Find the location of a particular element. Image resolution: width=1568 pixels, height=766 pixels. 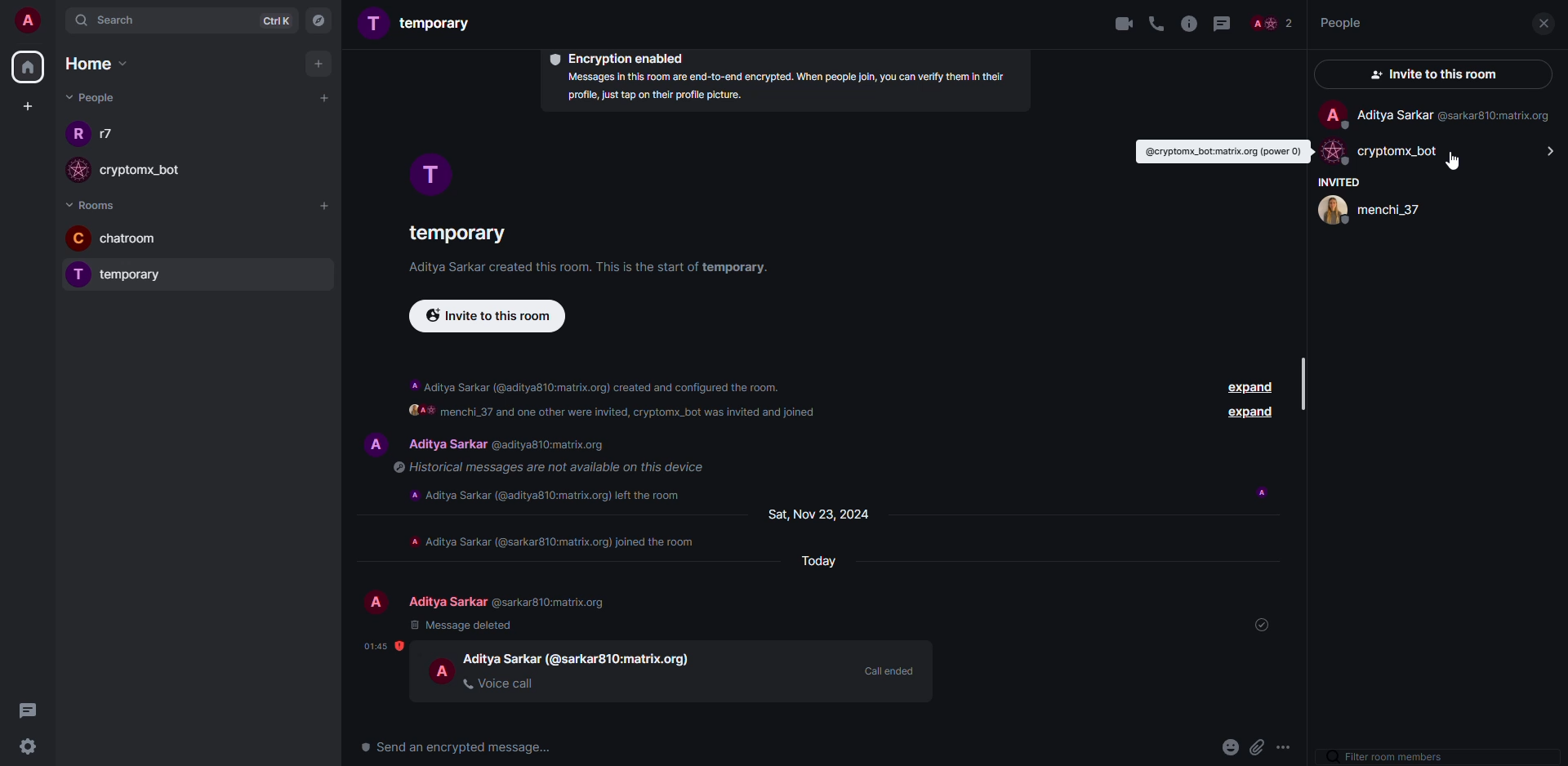

emoji is located at coordinates (1231, 746).